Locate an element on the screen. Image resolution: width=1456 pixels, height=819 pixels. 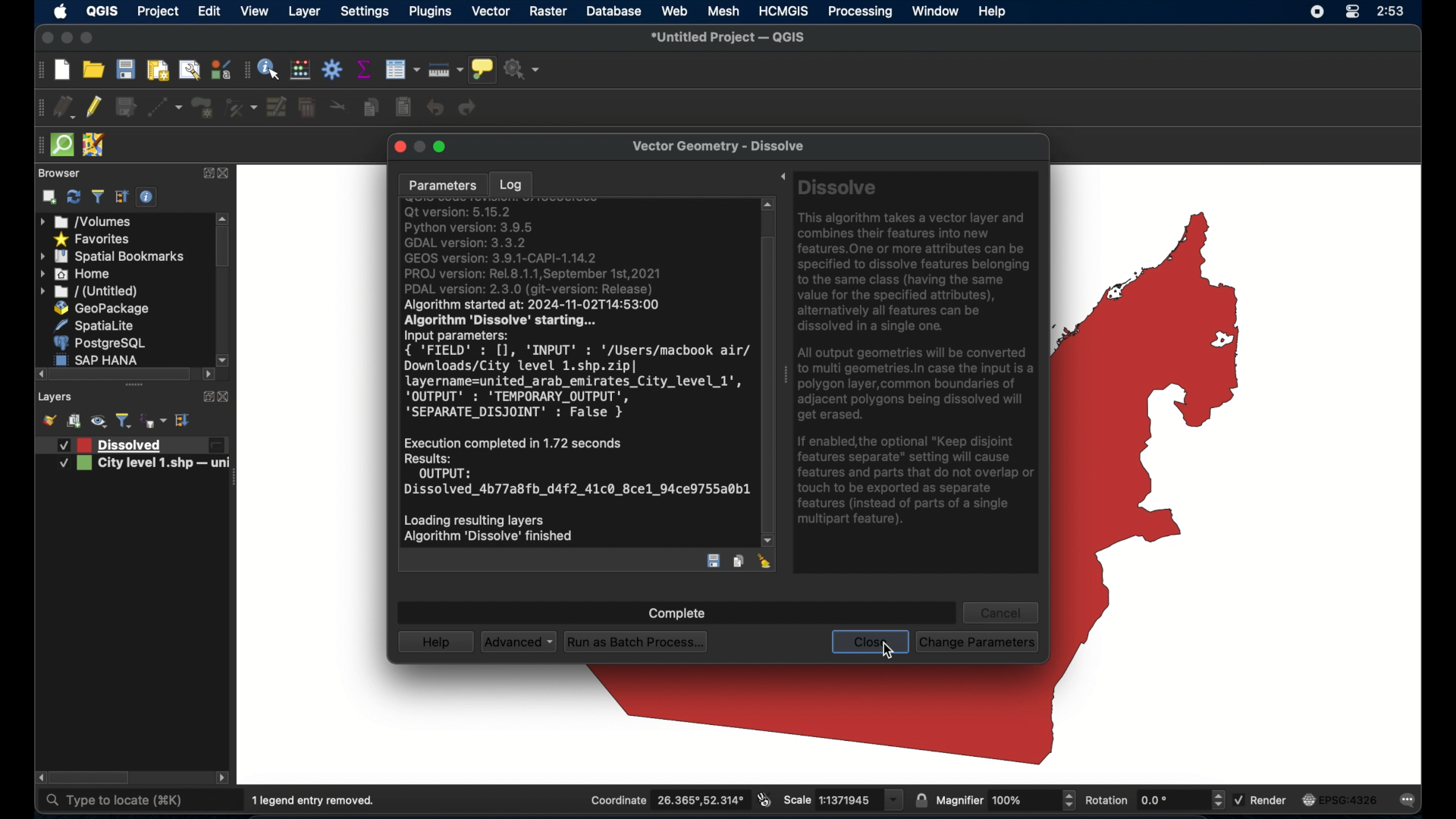
volumes is located at coordinates (86, 221).